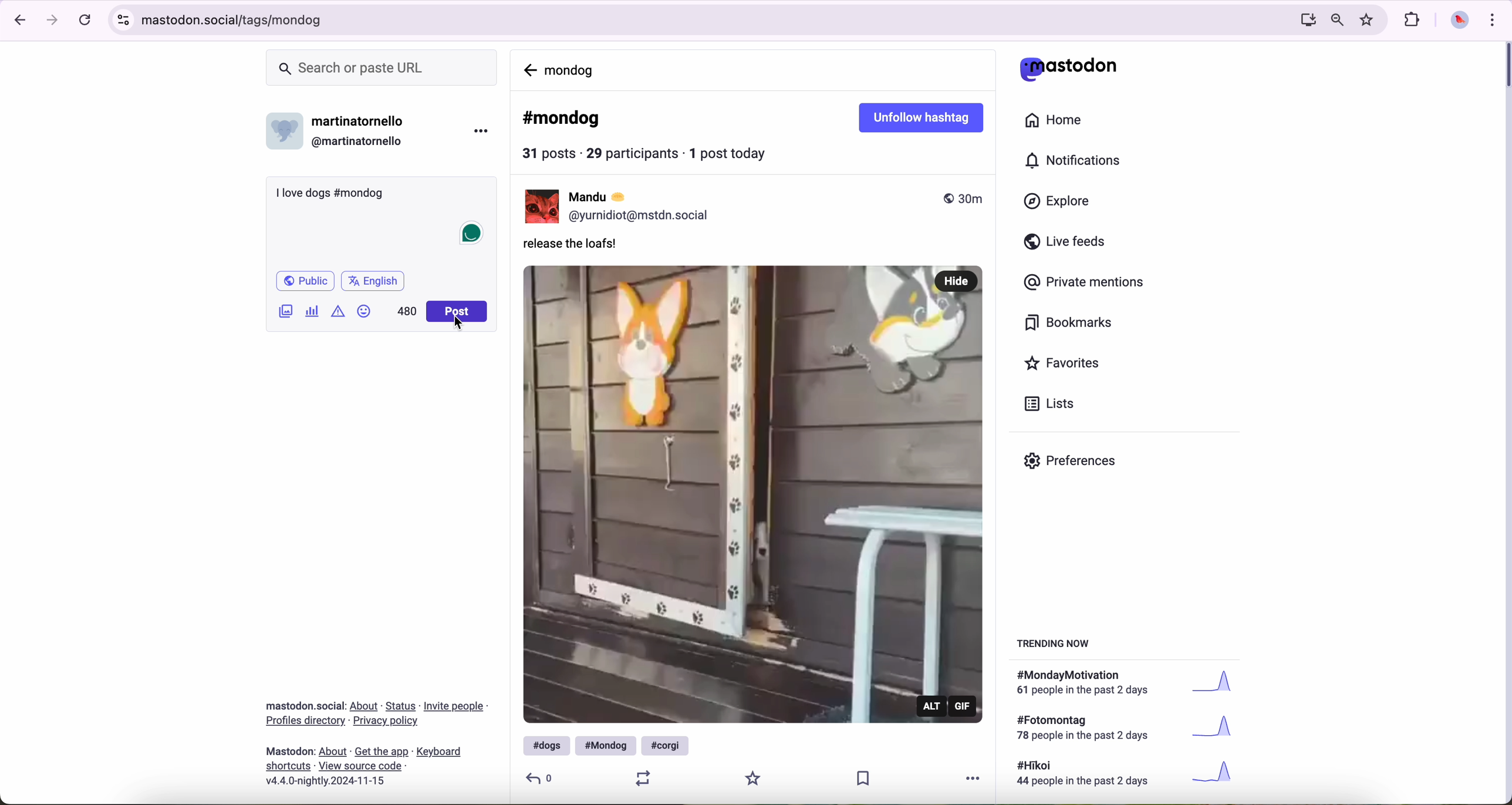 Image resolution: width=1512 pixels, height=805 pixels. I want to click on unfollow hashtag, so click(924, 118).